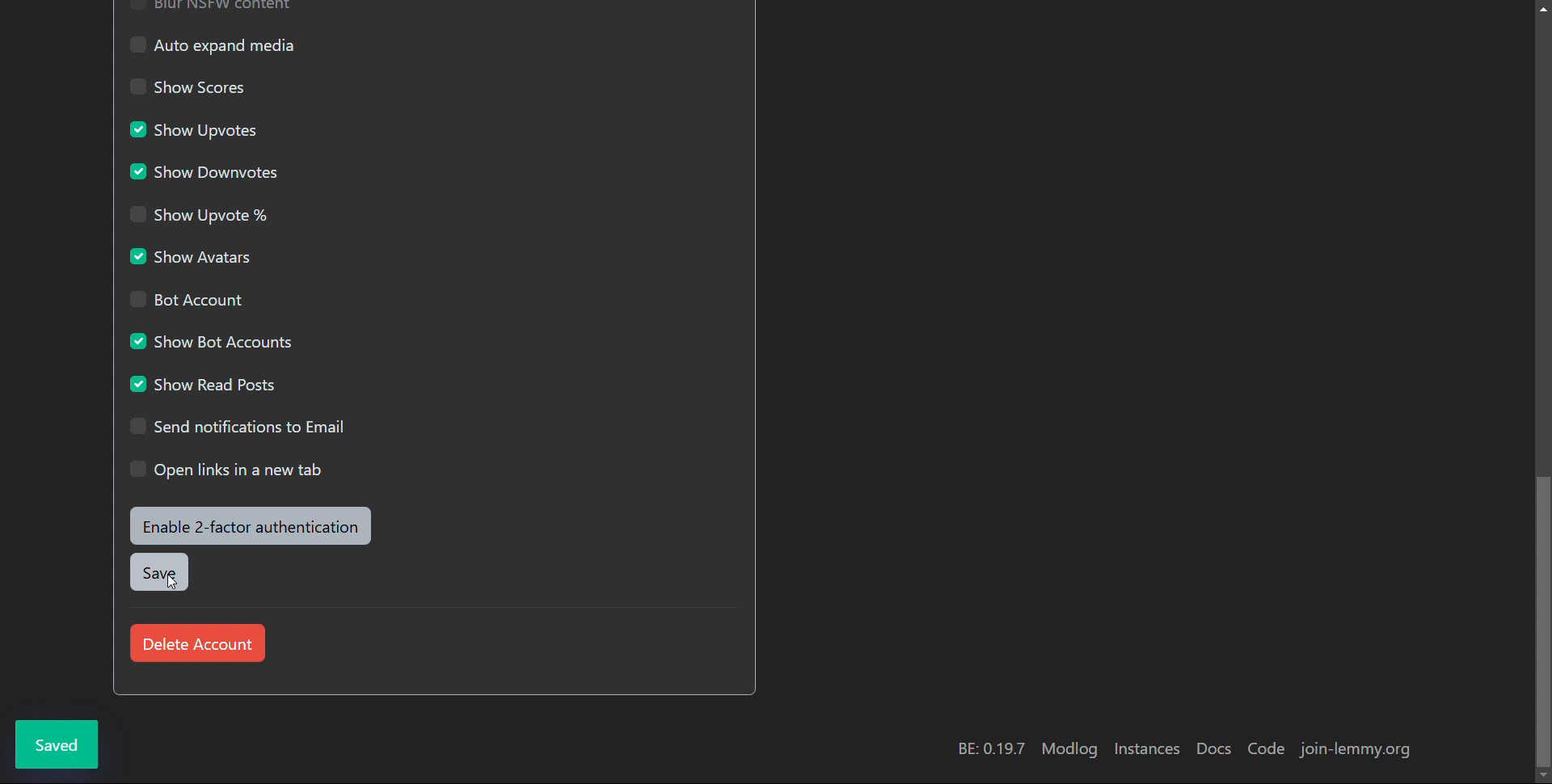 This screenshot has width=1552, height=784. What do you see at coordinates (1214, 748) in the screenshot?
I see `docs` at bounding box center [1214, 748].